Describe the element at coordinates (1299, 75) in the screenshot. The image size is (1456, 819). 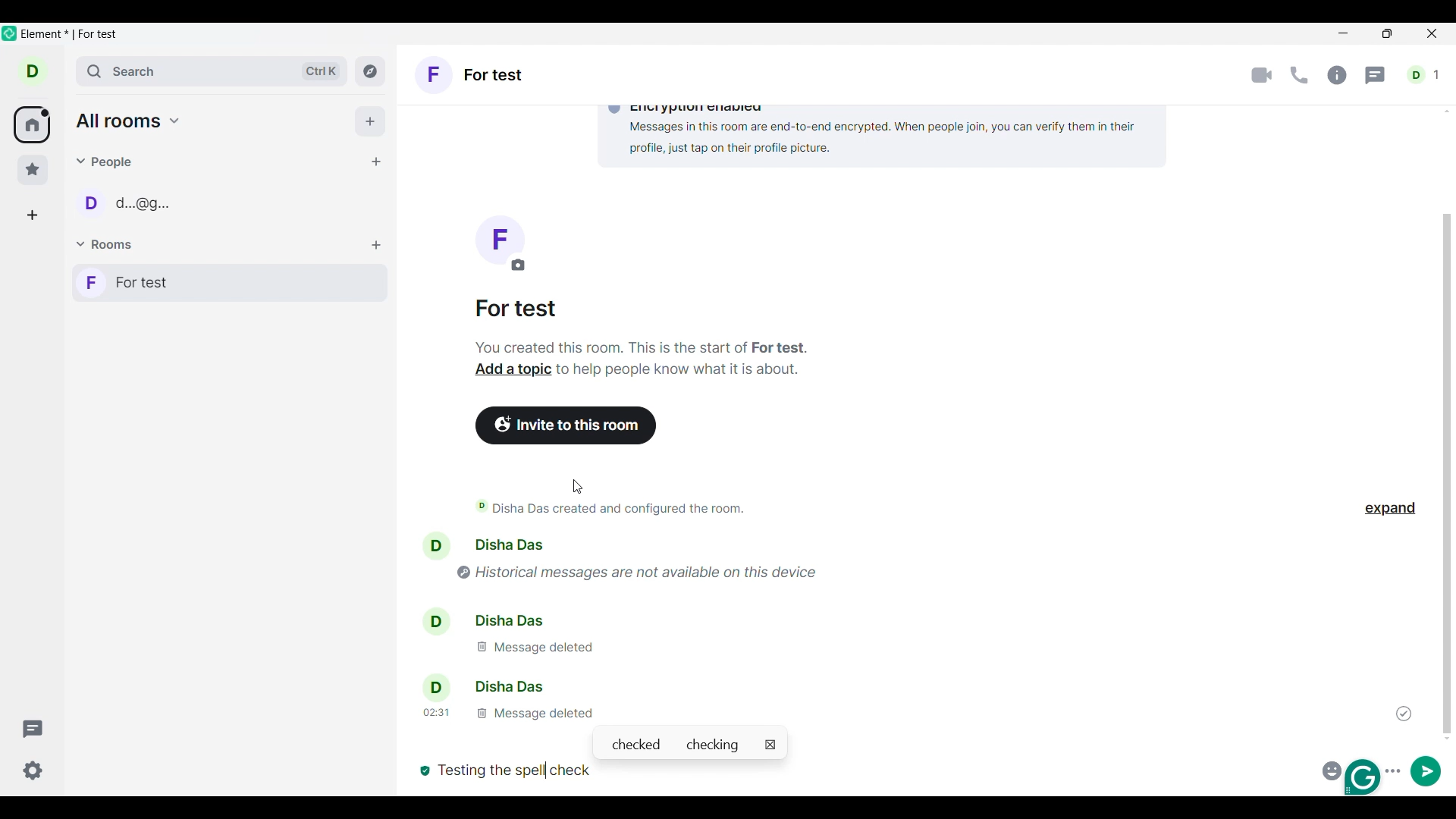
I see `Call` at that location.